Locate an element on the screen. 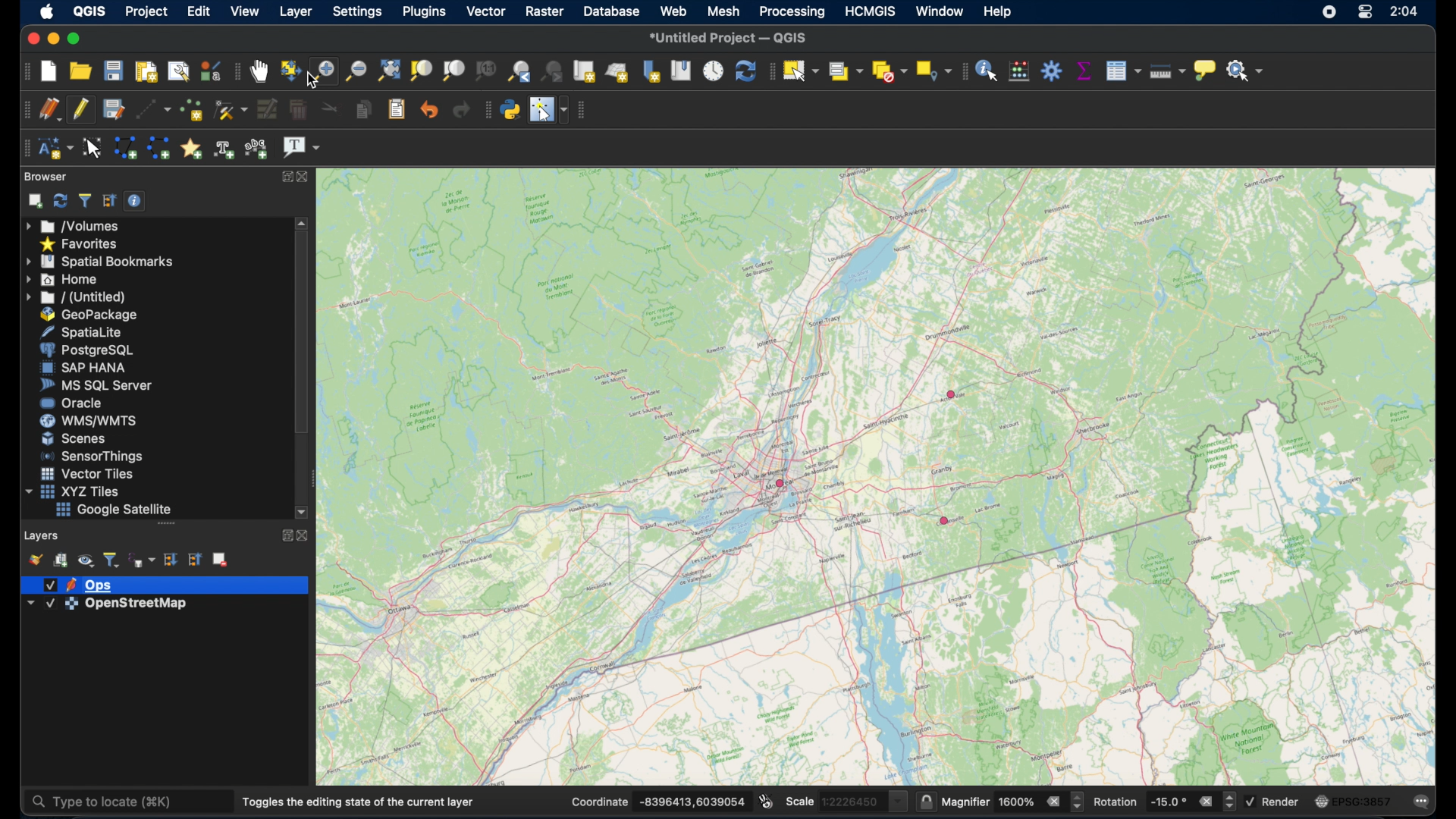 Image resolution: width=1456 pixels, height=819 pixels. zoom last is located at coordinates (519, 71).